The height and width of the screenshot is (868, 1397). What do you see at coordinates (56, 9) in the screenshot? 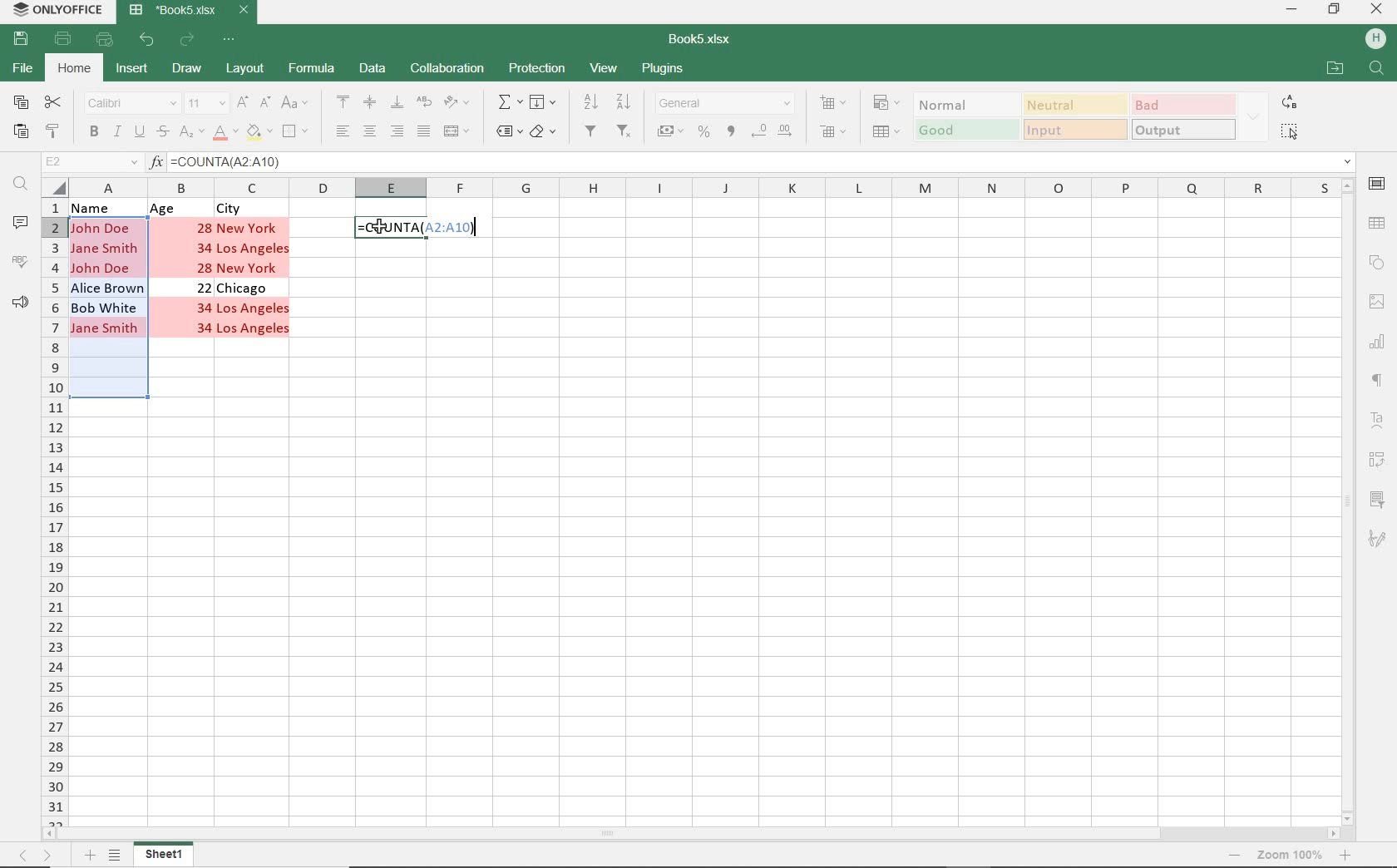
I see `SYSTEM NAME` at bounding box center [56, 9].